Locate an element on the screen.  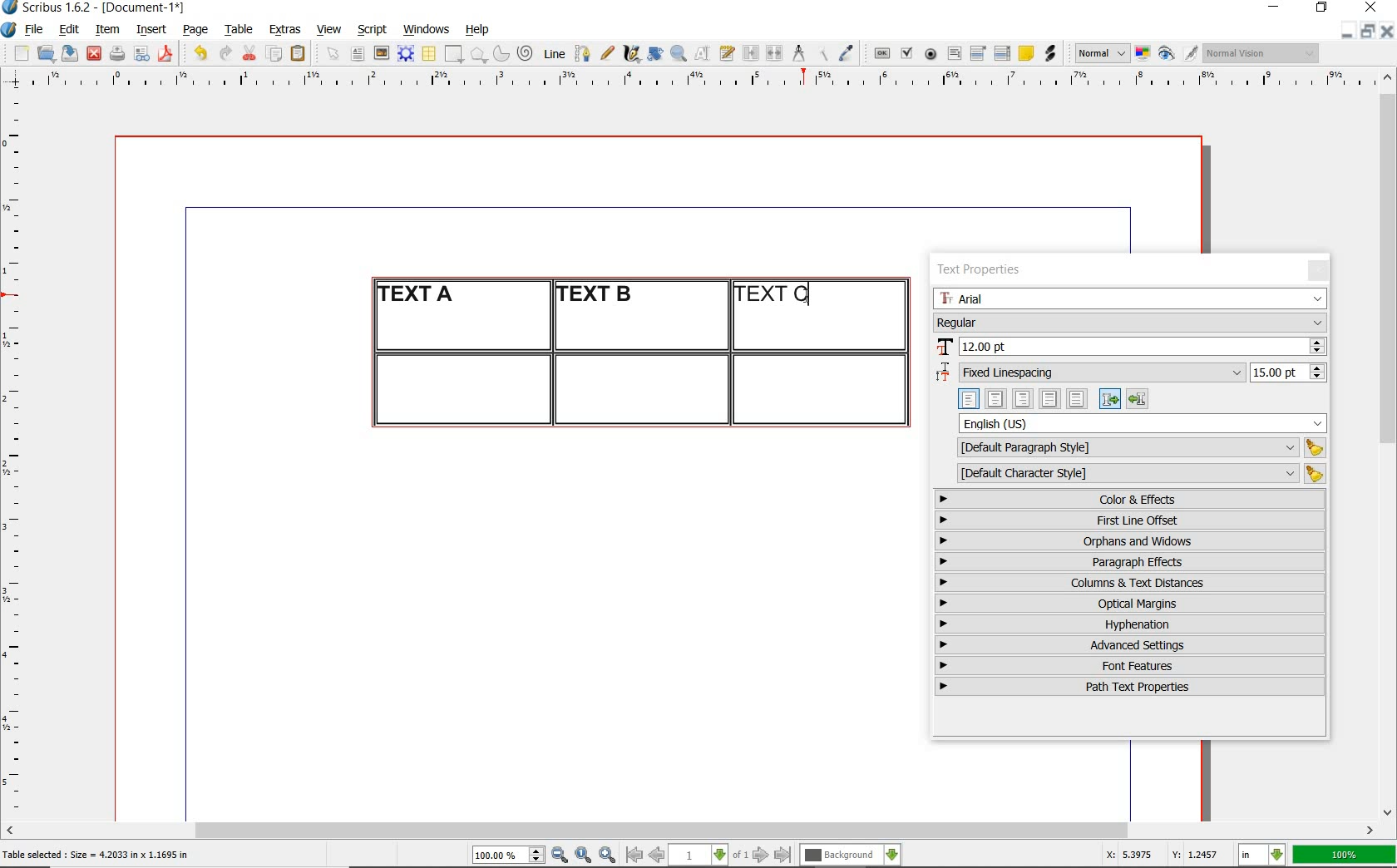
select the current layer is located at coordinates (851, 856).